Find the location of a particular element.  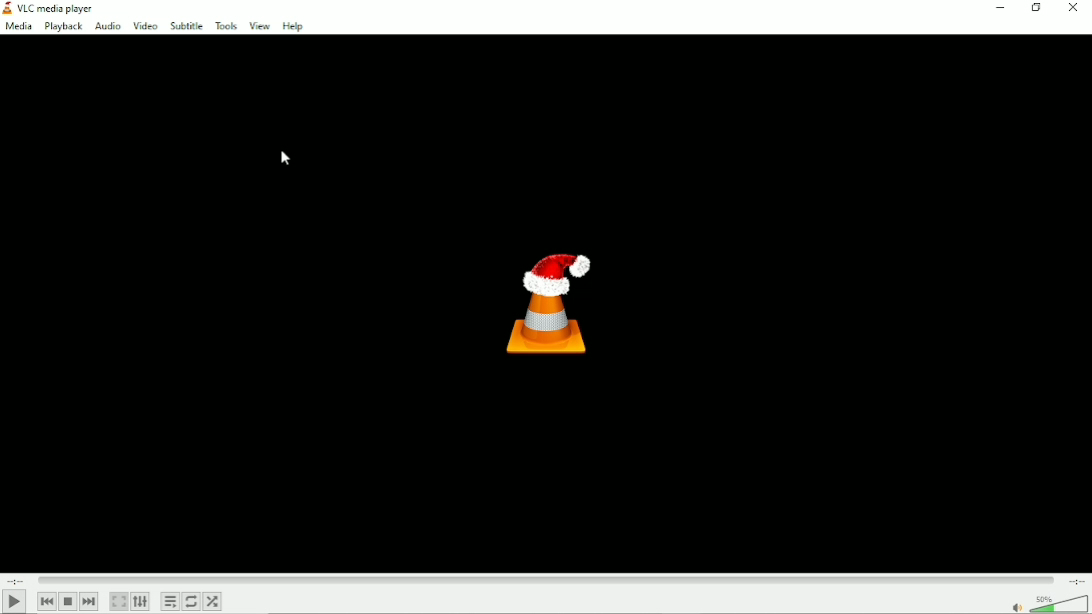

Toggle video in fullscreen is located at coordinates (120, 602).